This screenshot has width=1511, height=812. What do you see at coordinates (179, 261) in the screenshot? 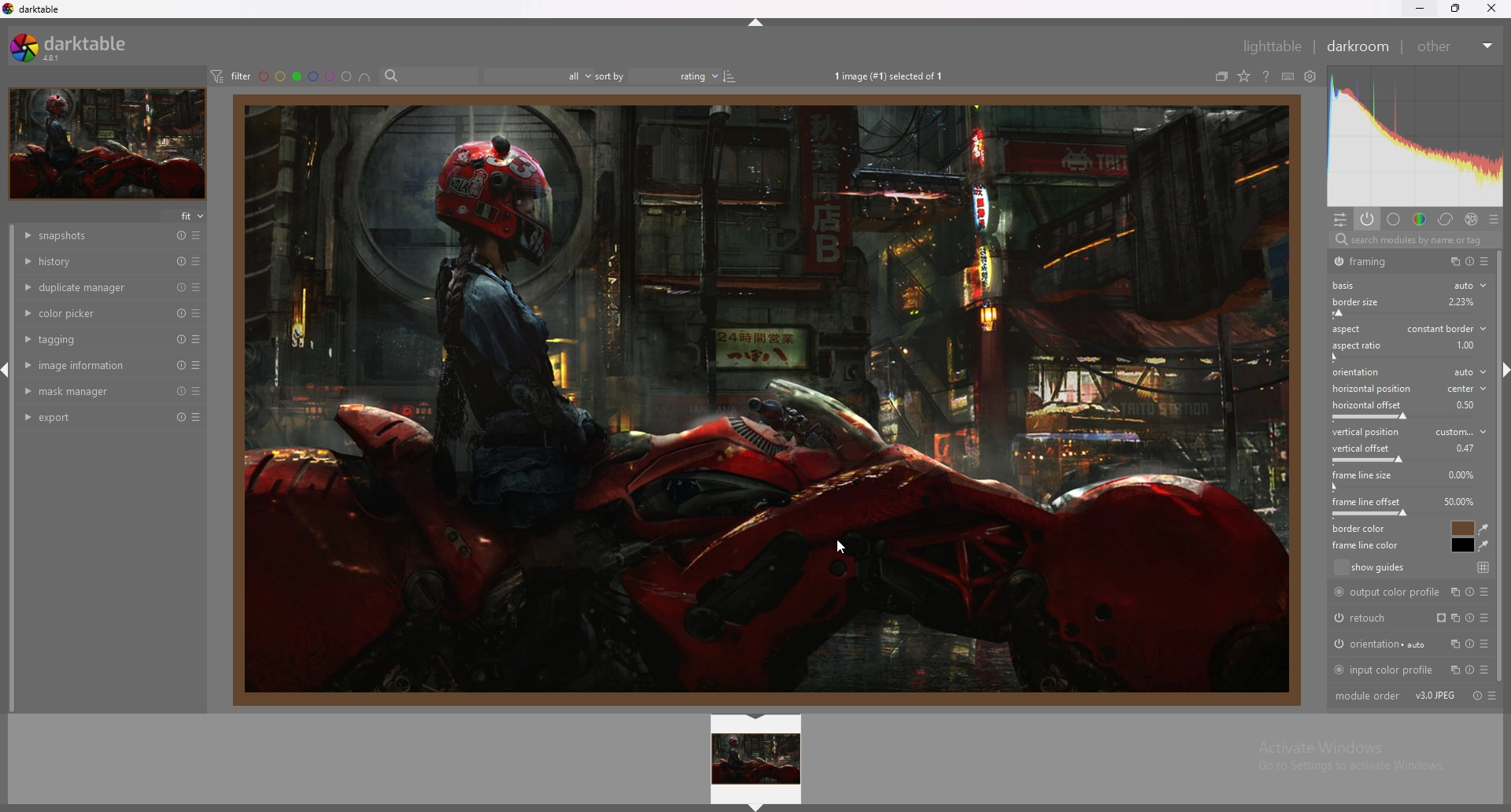
I see `reset` at bounding box center [179, 261].